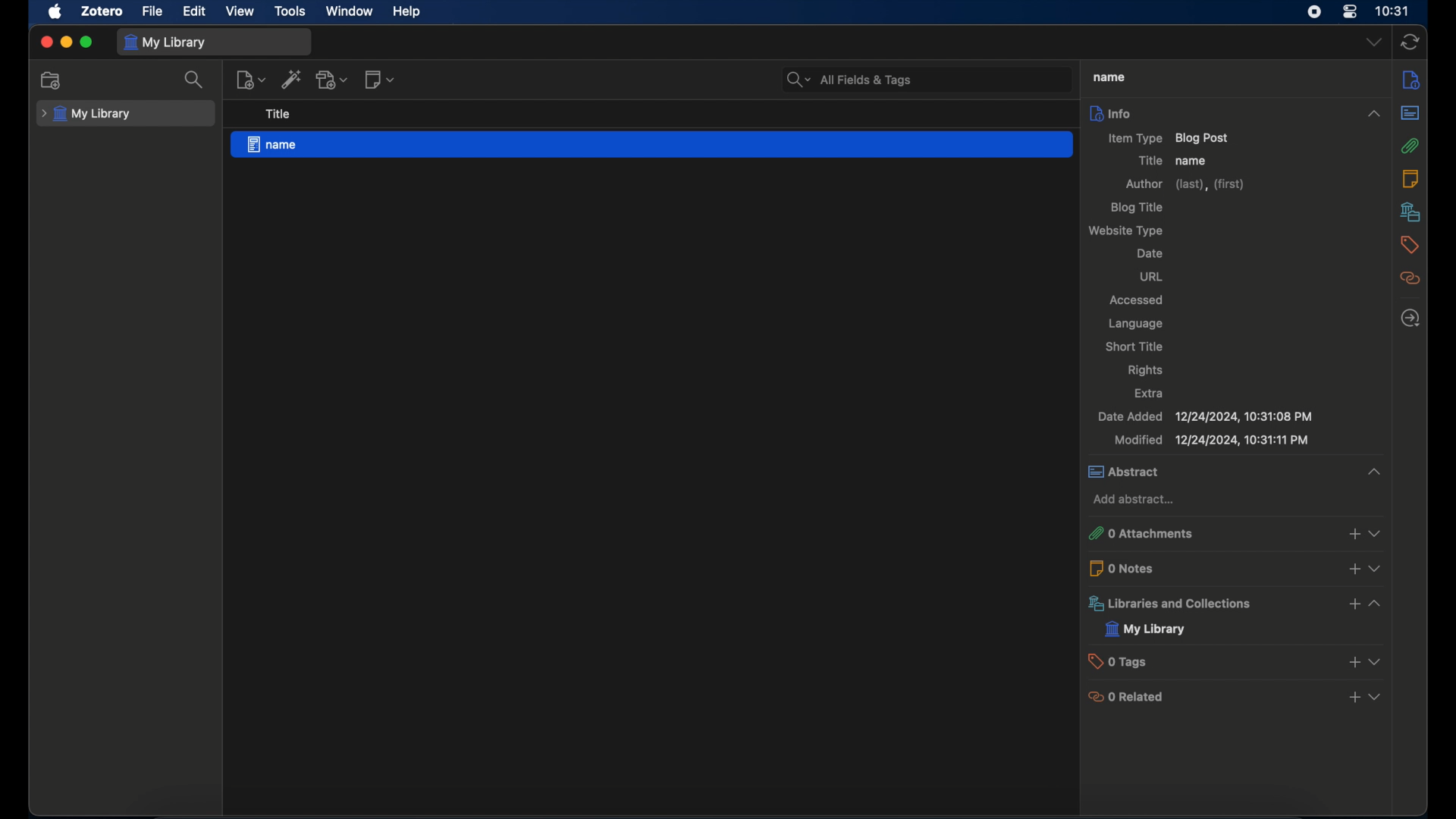  I want to click on accessed, so click(1137, 300).